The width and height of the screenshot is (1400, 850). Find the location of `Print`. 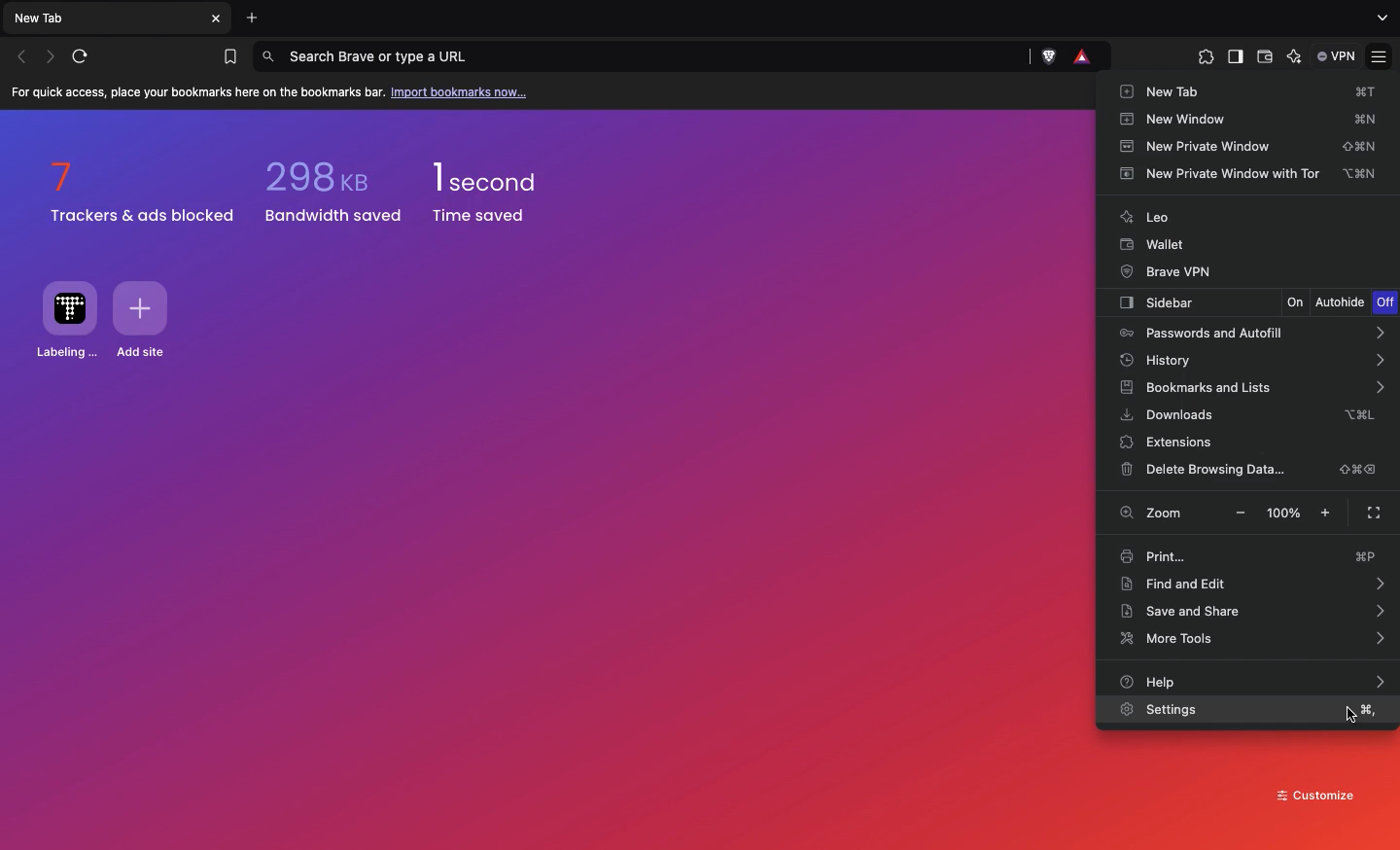

Print is located at coordinates (1245, 556).